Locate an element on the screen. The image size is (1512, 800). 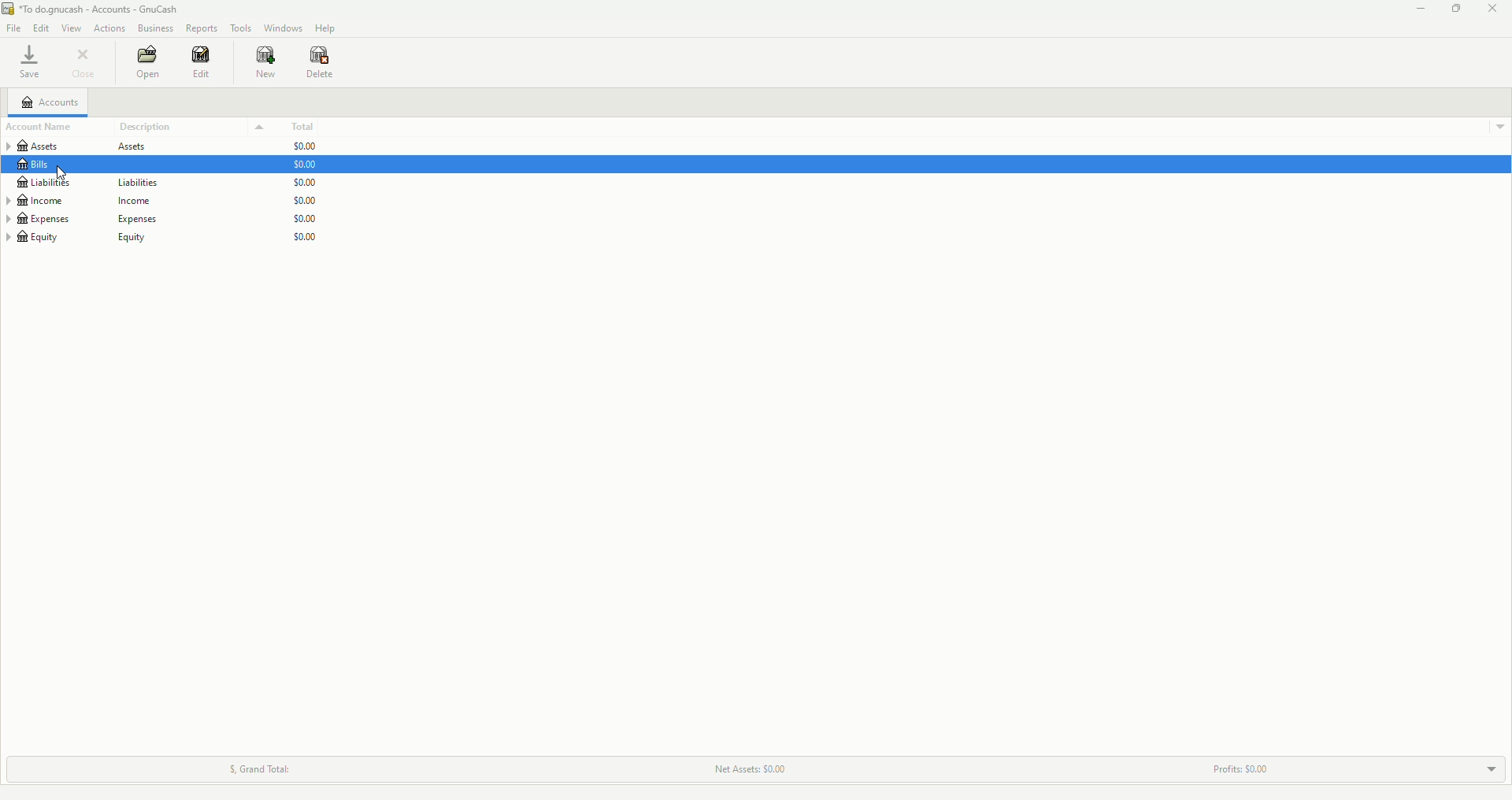
Open is located at coordinates (148, 62).